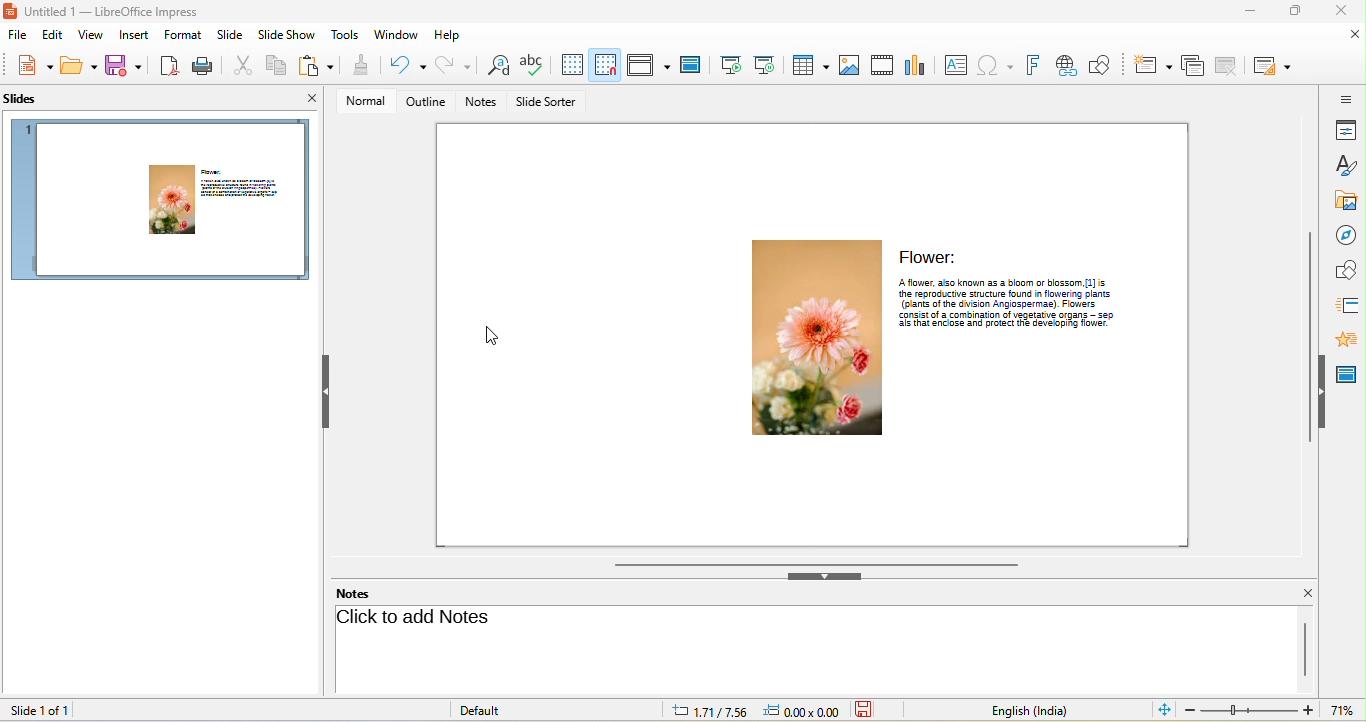 The image size is (1366, 722). What do you see at coordinates (997, 63) in the screenshot?
I see `special character` at bounding box center [997, 63].